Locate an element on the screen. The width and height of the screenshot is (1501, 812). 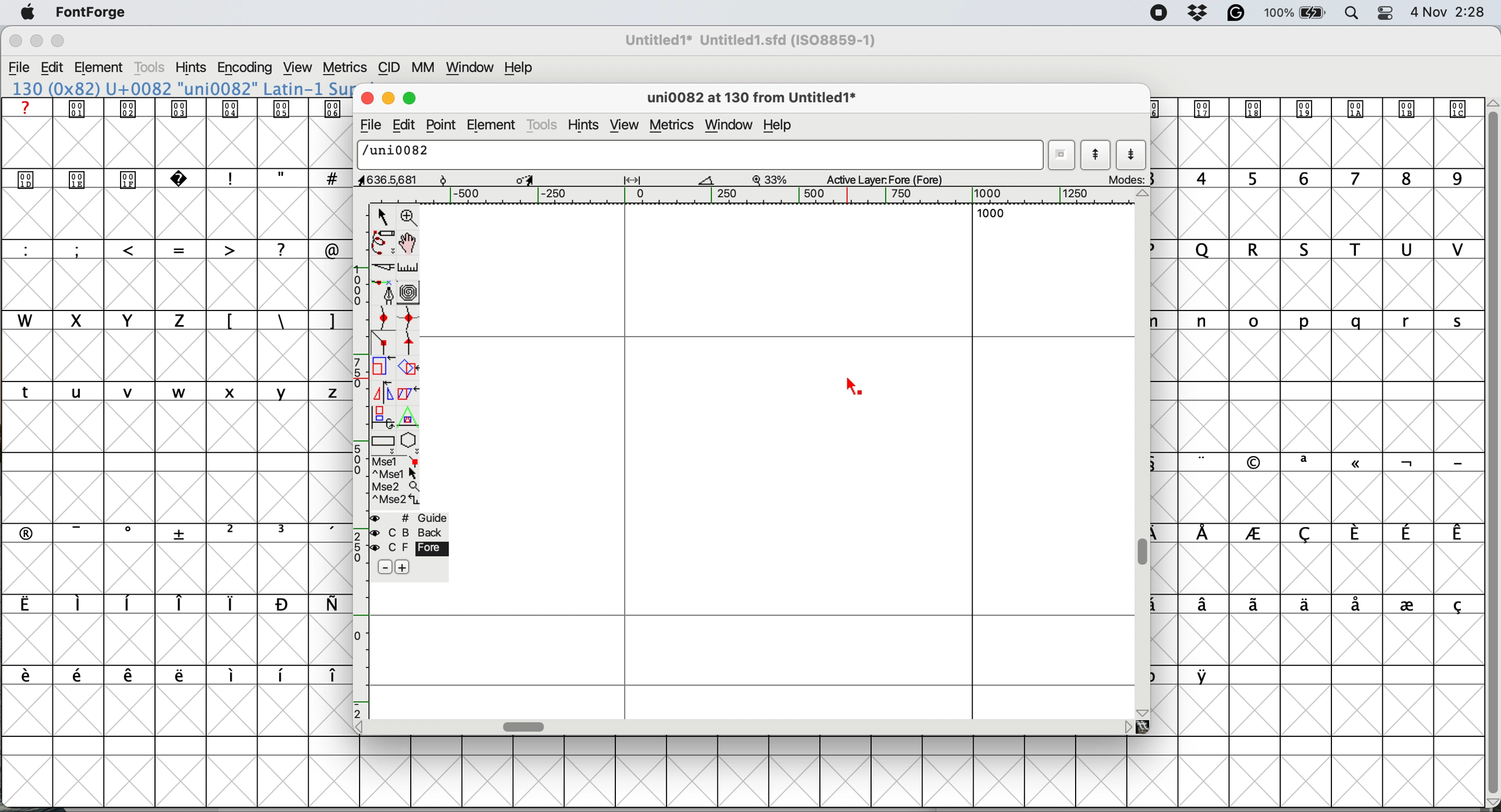
symbol is located at coordinates (1313, 108).